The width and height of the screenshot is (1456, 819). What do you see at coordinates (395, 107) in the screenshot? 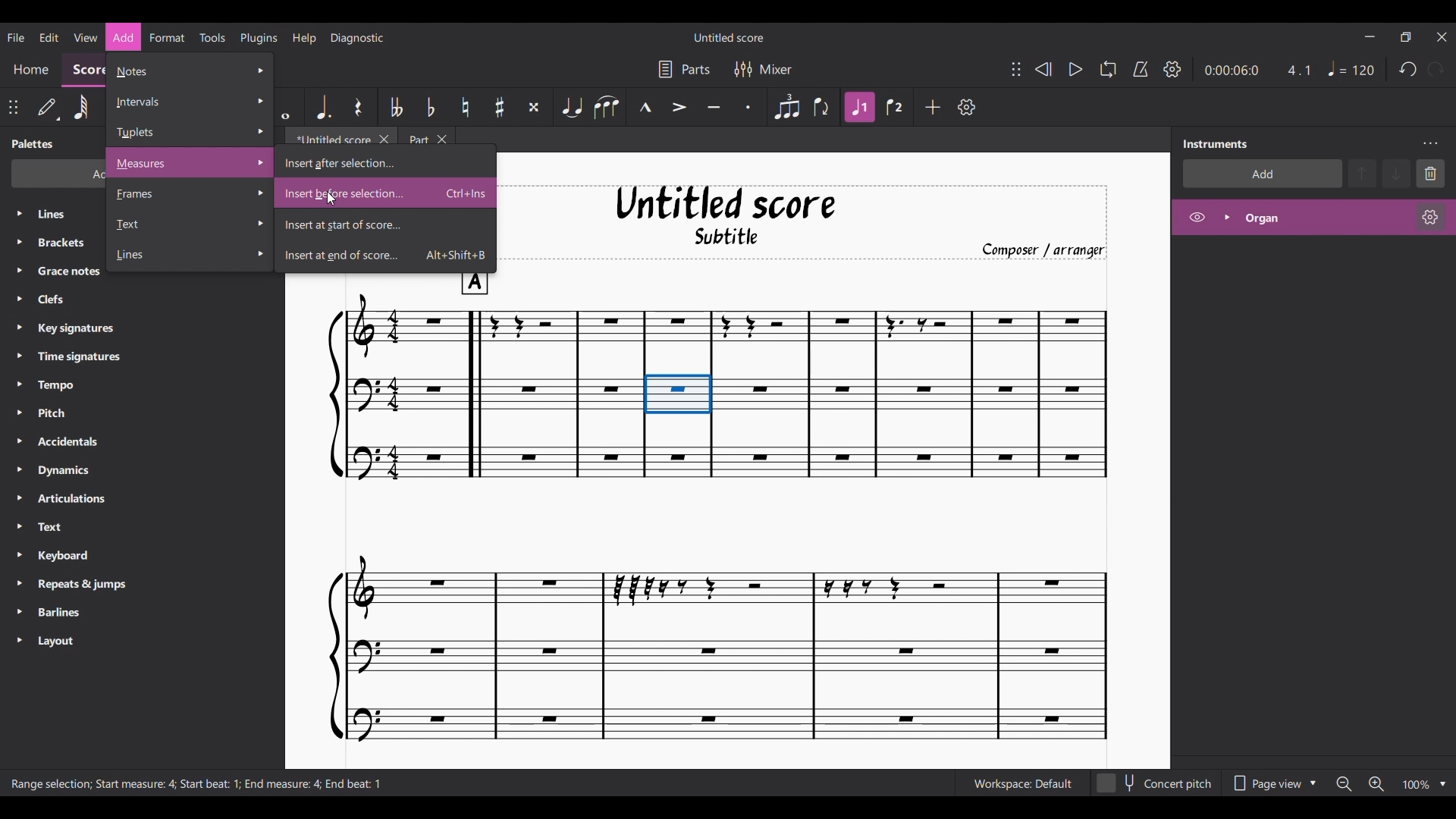
I see `Toggle double flat` at bounding box center [395, 107].